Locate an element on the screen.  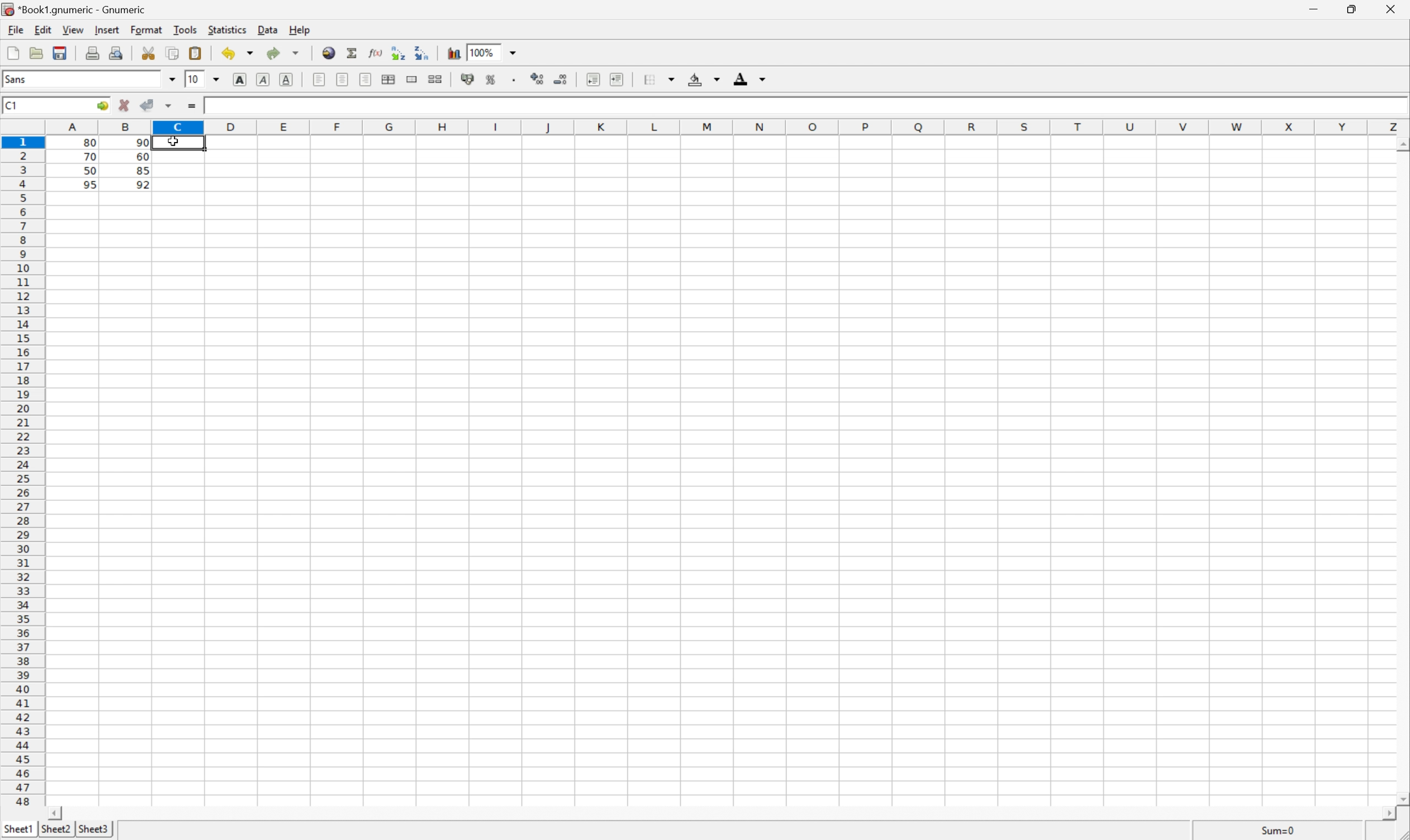
Decrease the number of decimals displayed is located at coordinates (563, 79).